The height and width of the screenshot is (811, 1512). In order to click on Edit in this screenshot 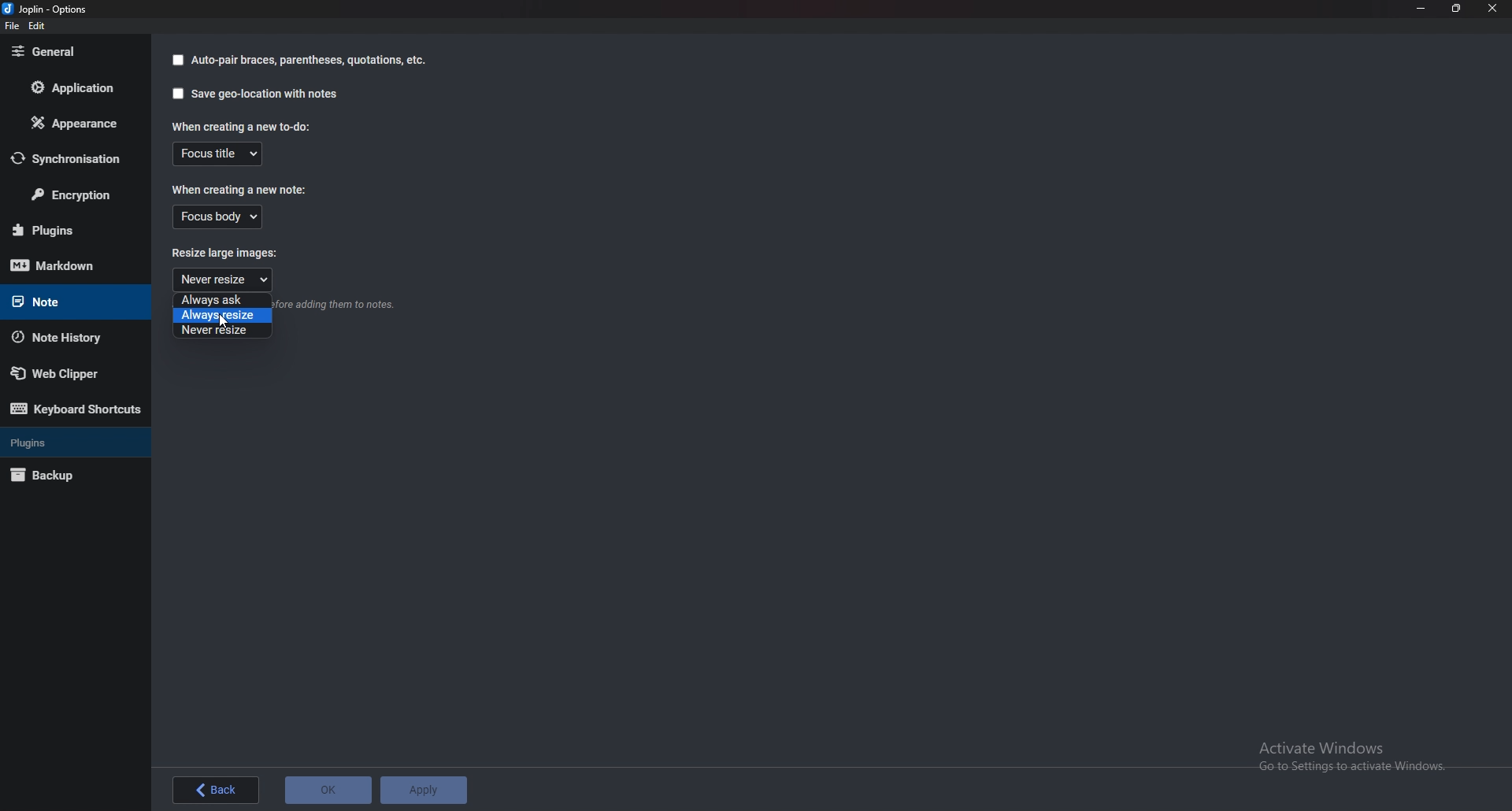, I will do `click(37, 26)`.